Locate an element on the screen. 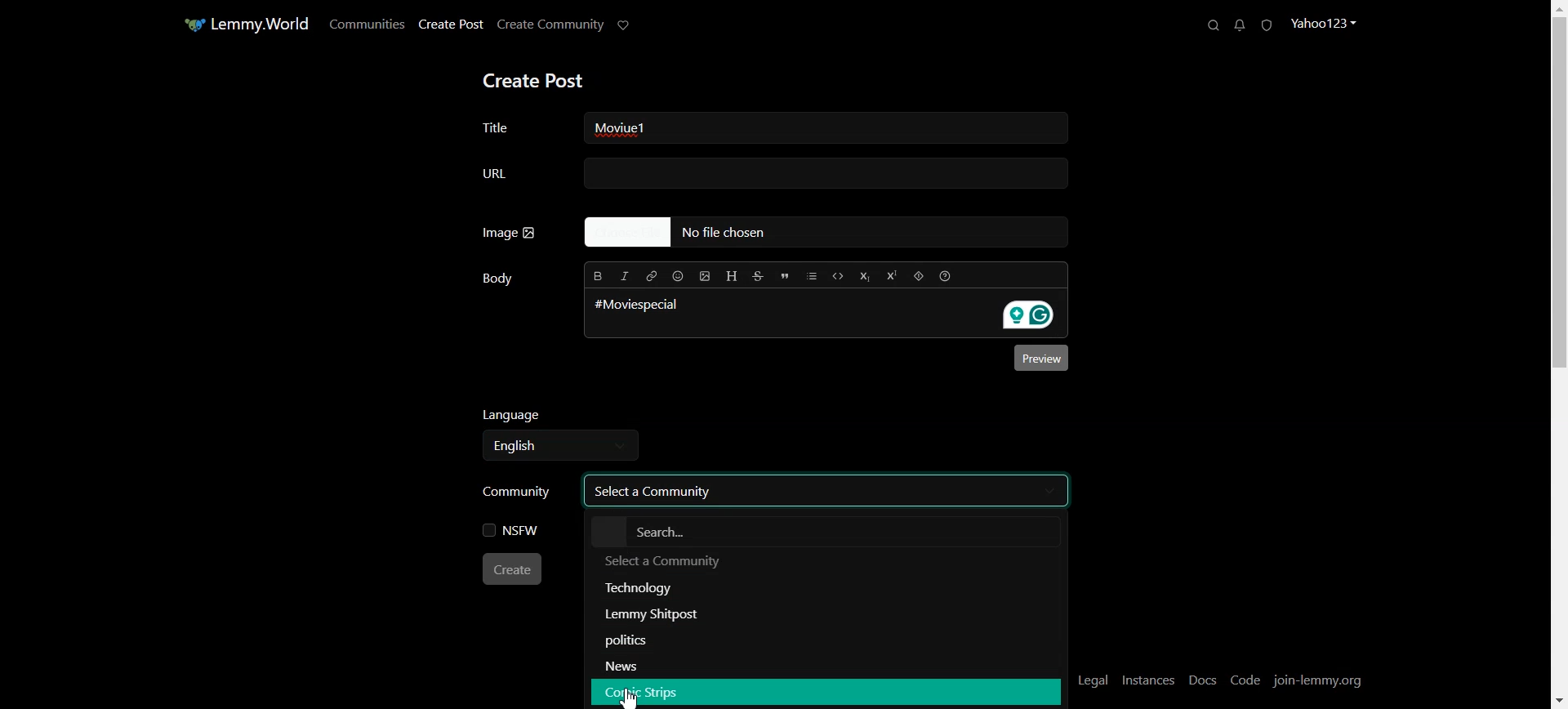 This screenshot has width=1568, height=709. Create Post is located at coordinates (533, 82).